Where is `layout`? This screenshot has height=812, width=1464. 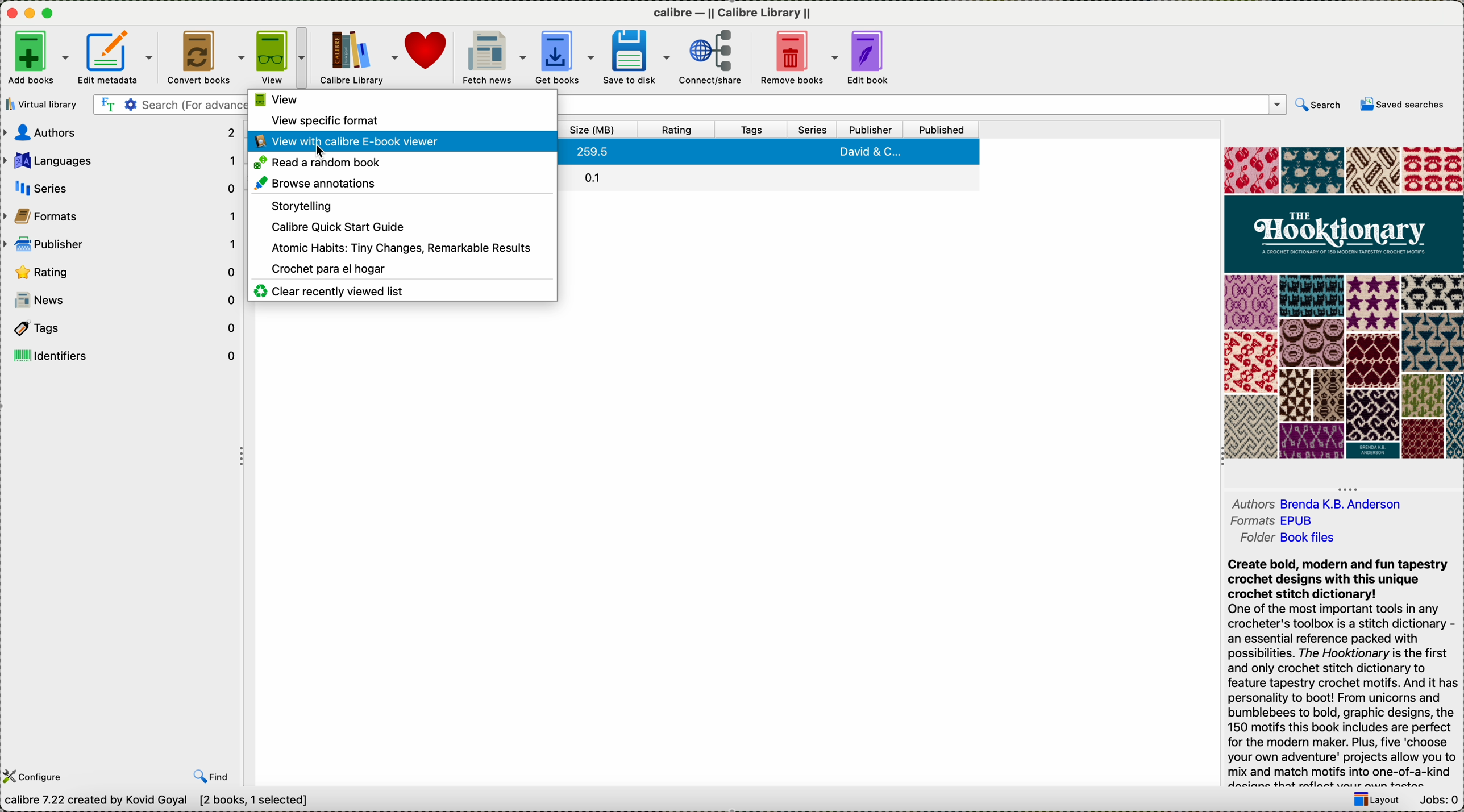 layout is located at coordinates (1372, 801).